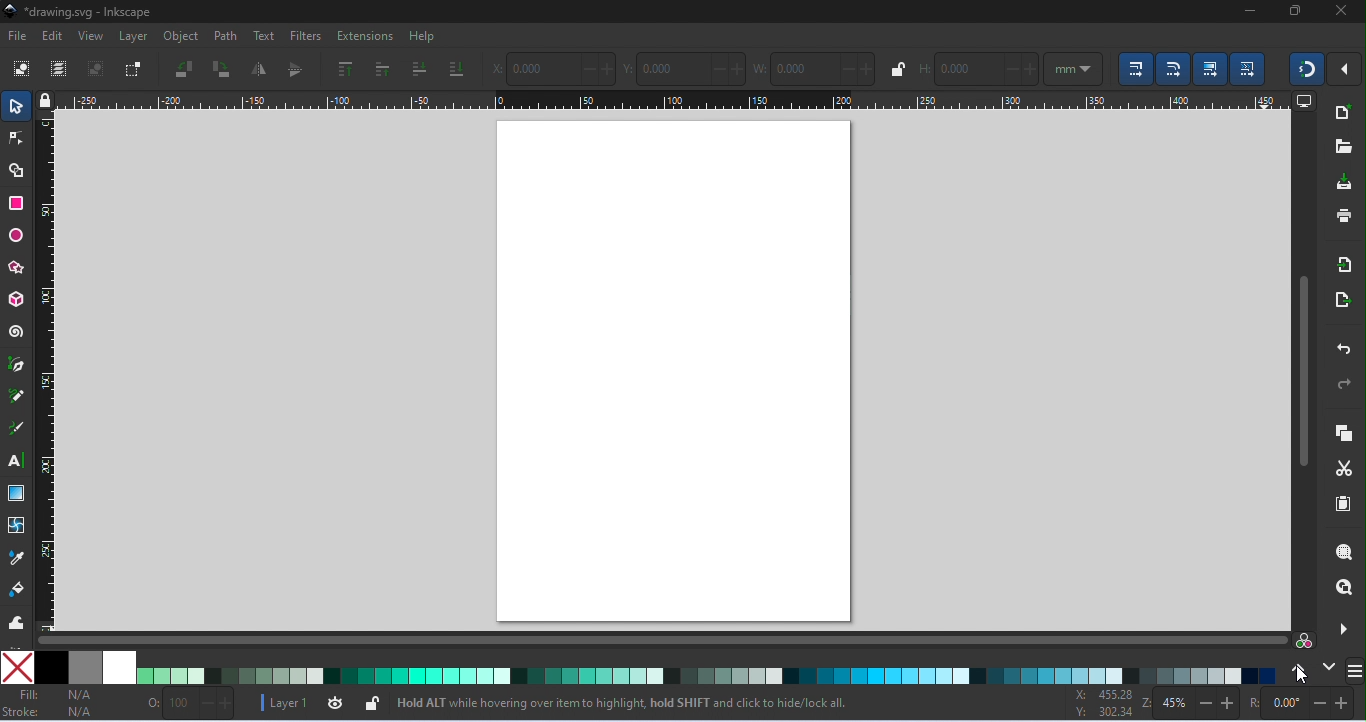 This screenshot has height=722, width=1366. What do you see at coordinates (381, 69) in the screenshot?
I see `raise` at bounding box center [381, 69].